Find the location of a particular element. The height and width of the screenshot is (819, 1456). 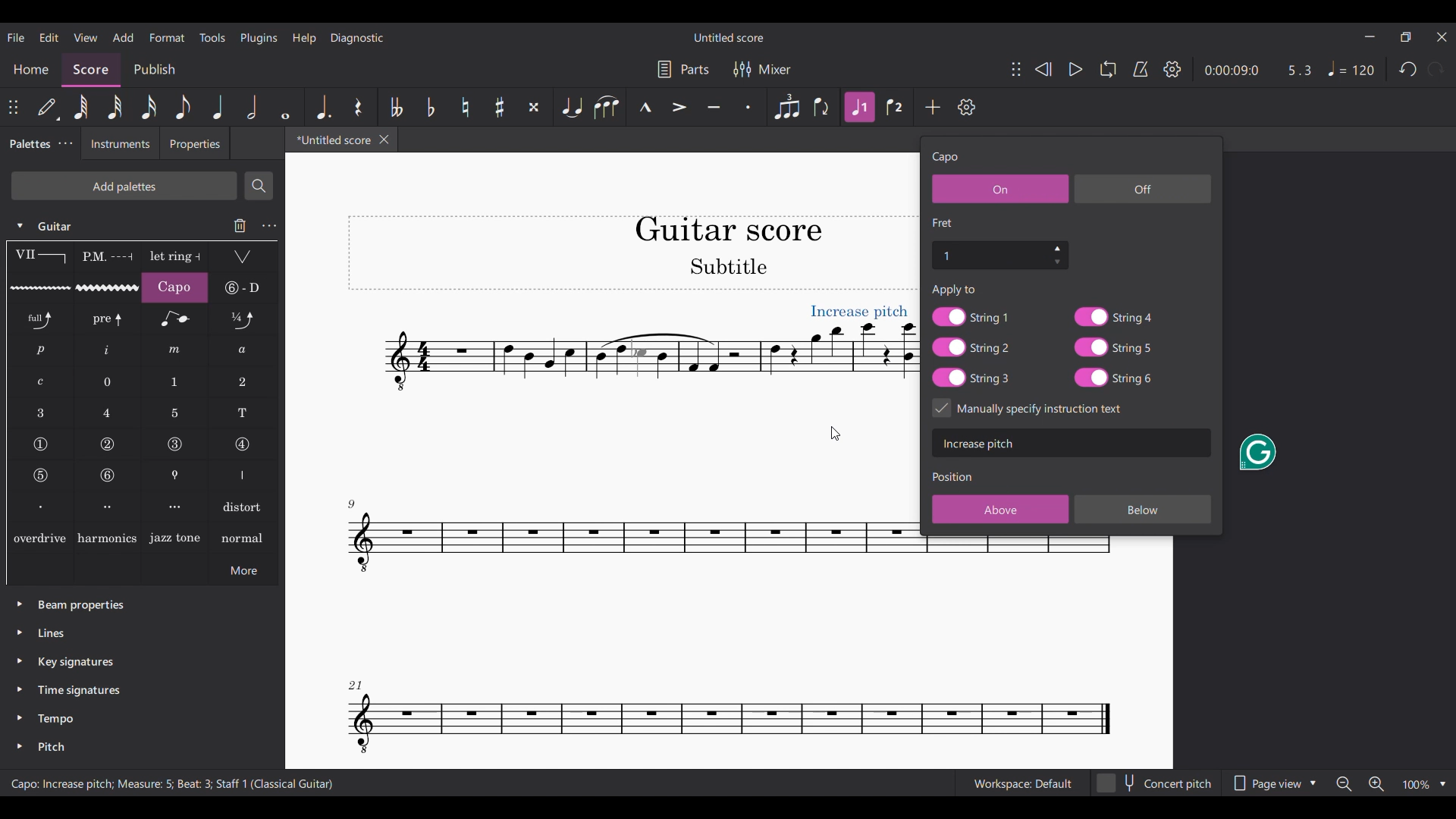

Guitar is located at coordinates (58, 226).